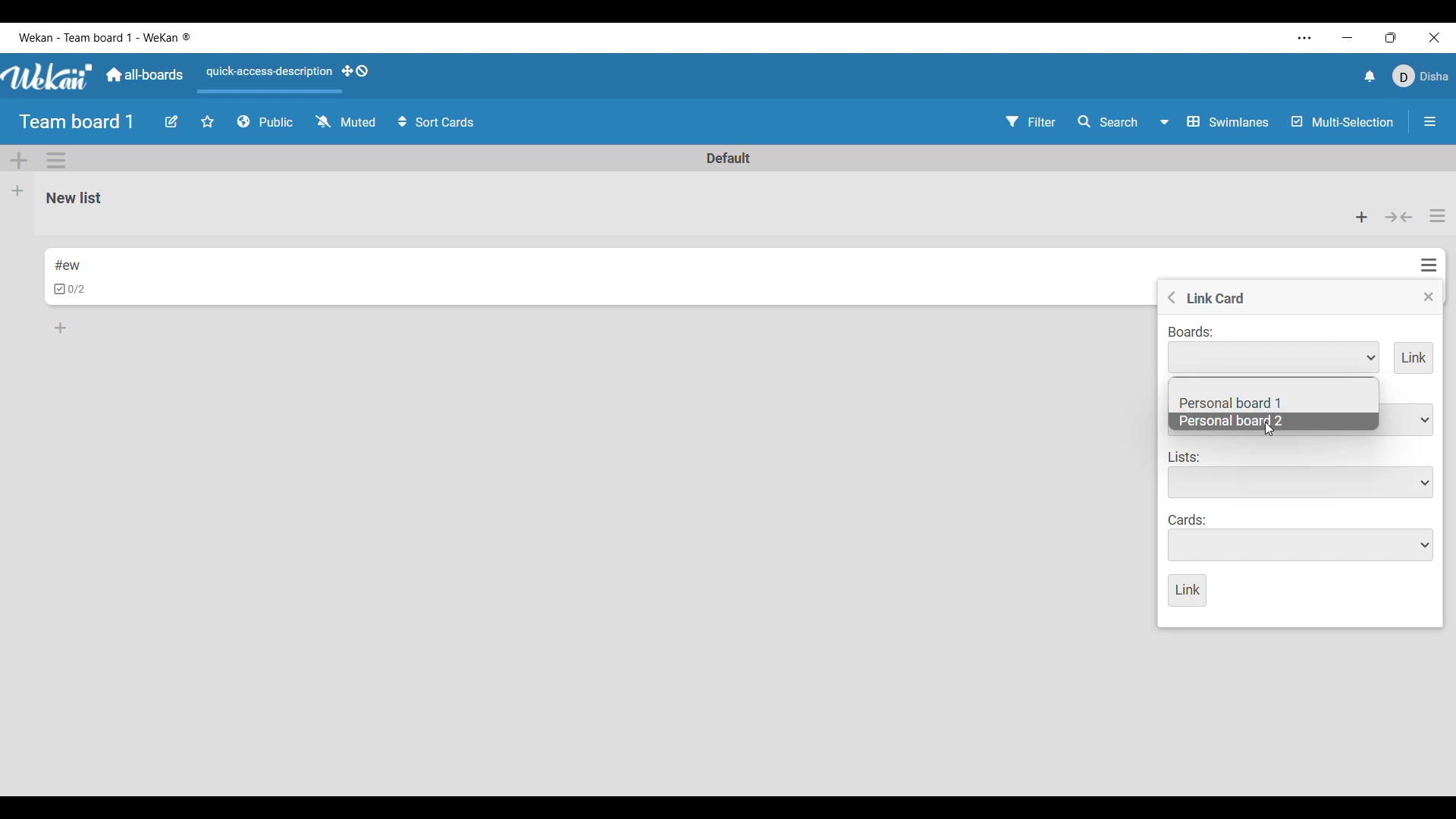  Describe the element at coordinates (266, 78) in the screenshot. I see `Quick access description` at that location.